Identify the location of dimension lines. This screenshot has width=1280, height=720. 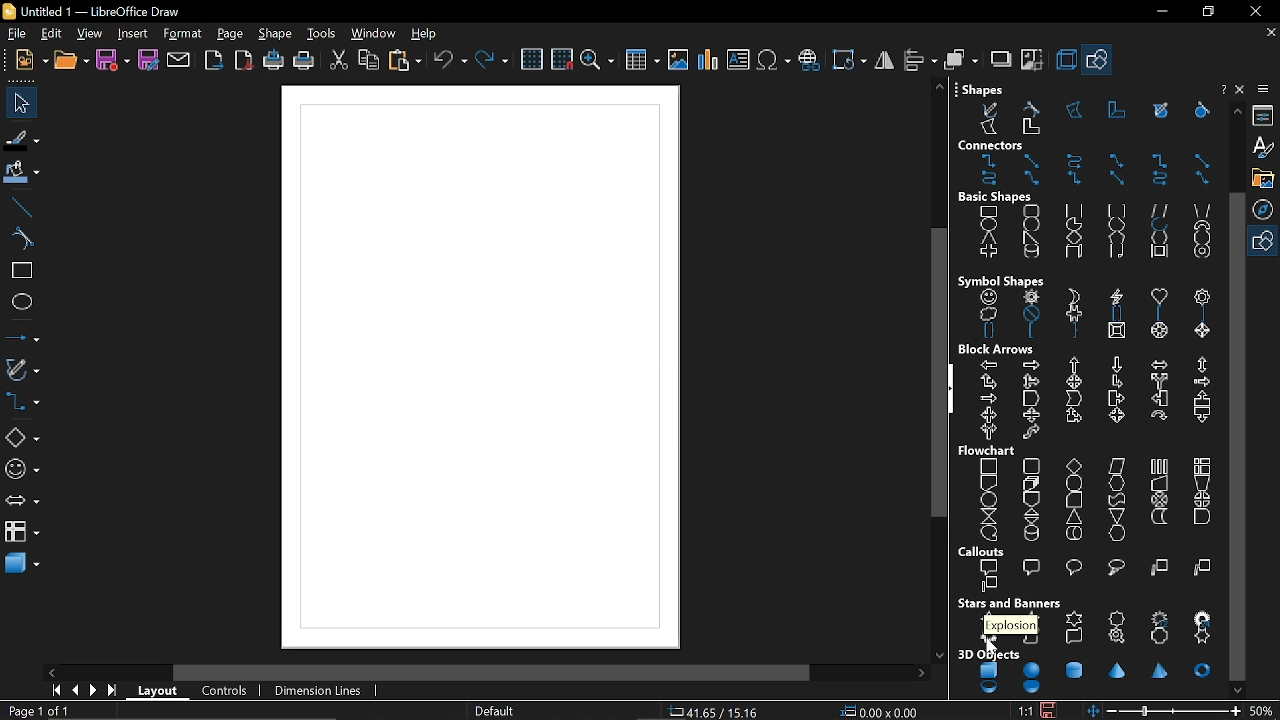
(322, 690).